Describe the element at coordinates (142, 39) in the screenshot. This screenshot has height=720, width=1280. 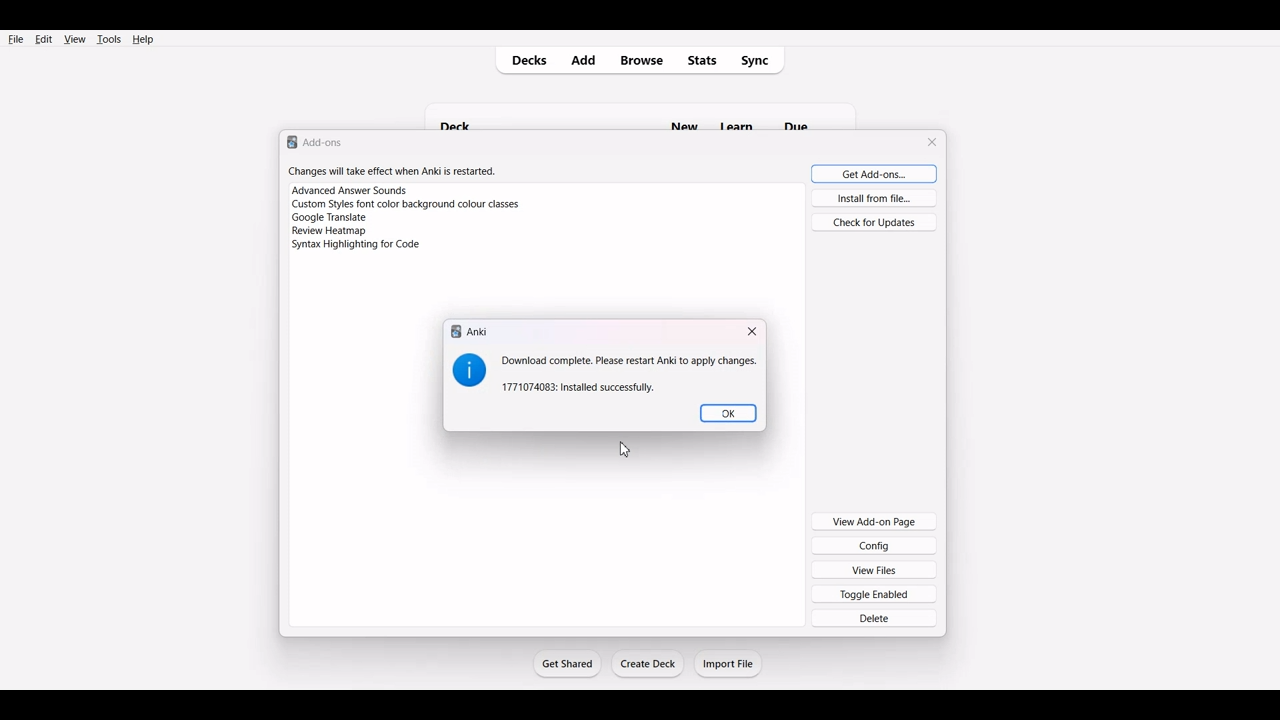
I see `Help` at that location.